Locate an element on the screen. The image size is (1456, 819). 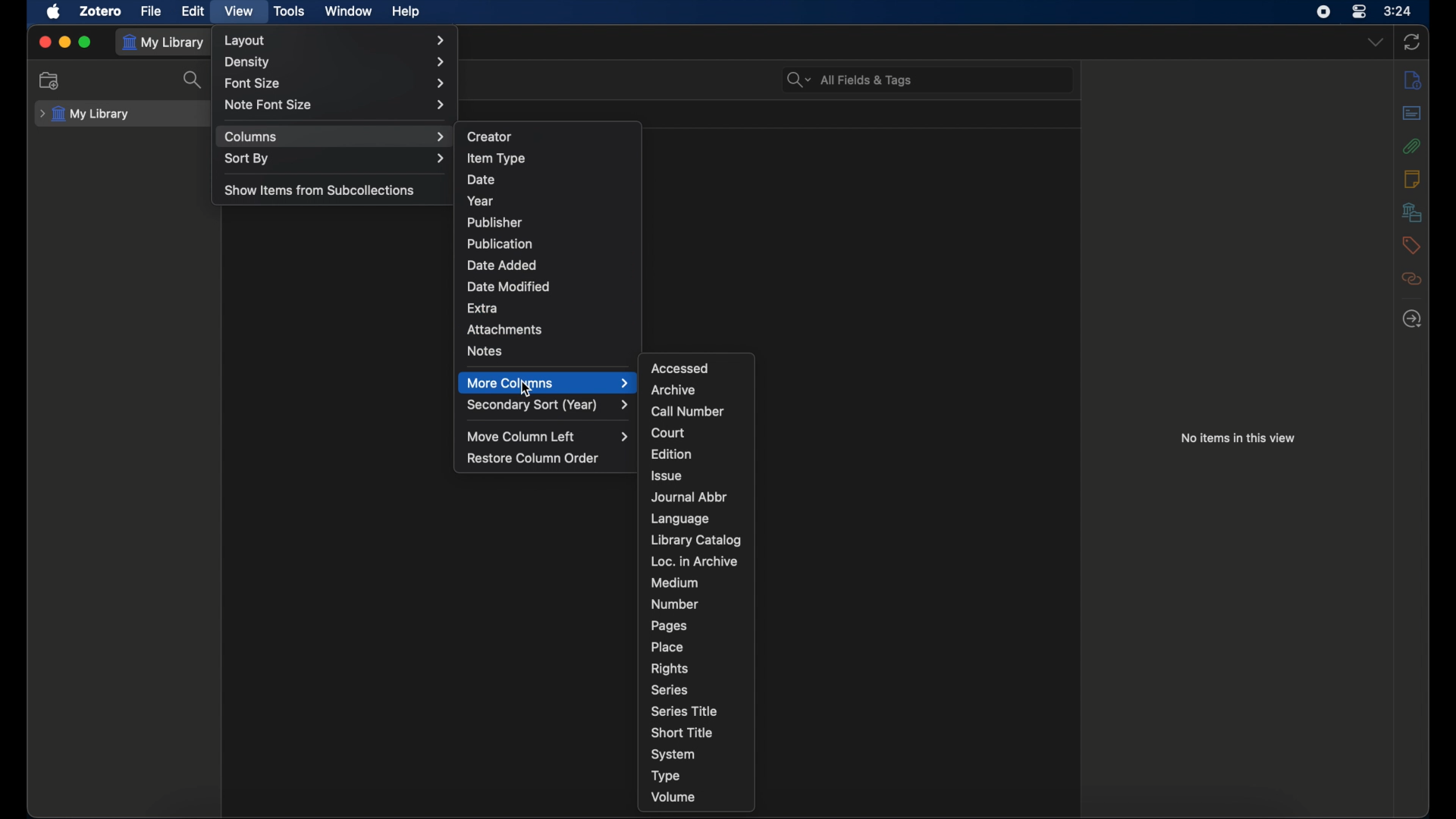
notes is located at coordinates (1411, 177).